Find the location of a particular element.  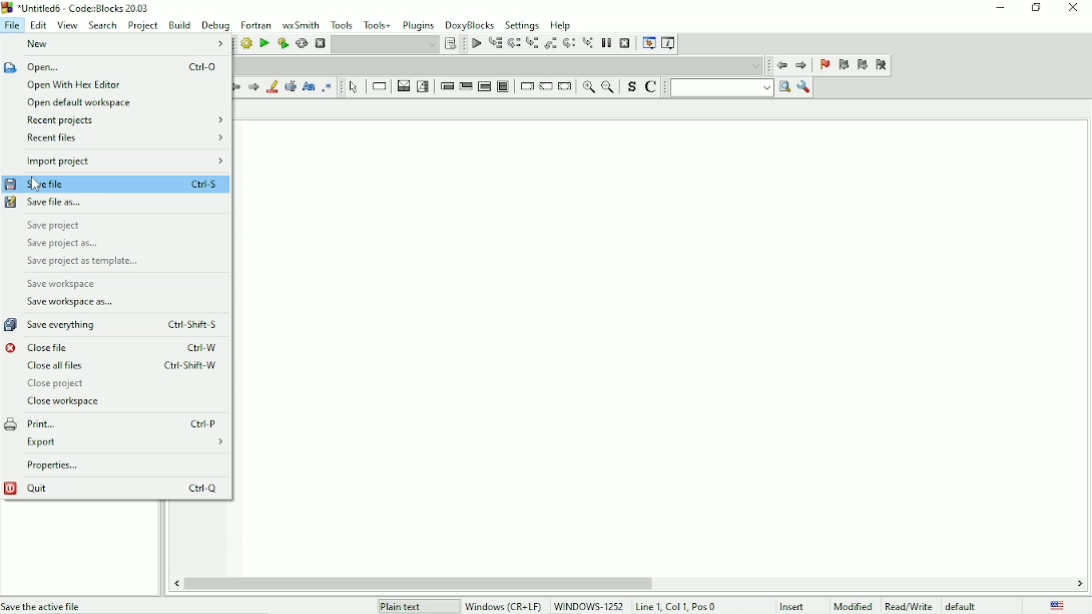

Jump forward is located at coordinates (802, 66).